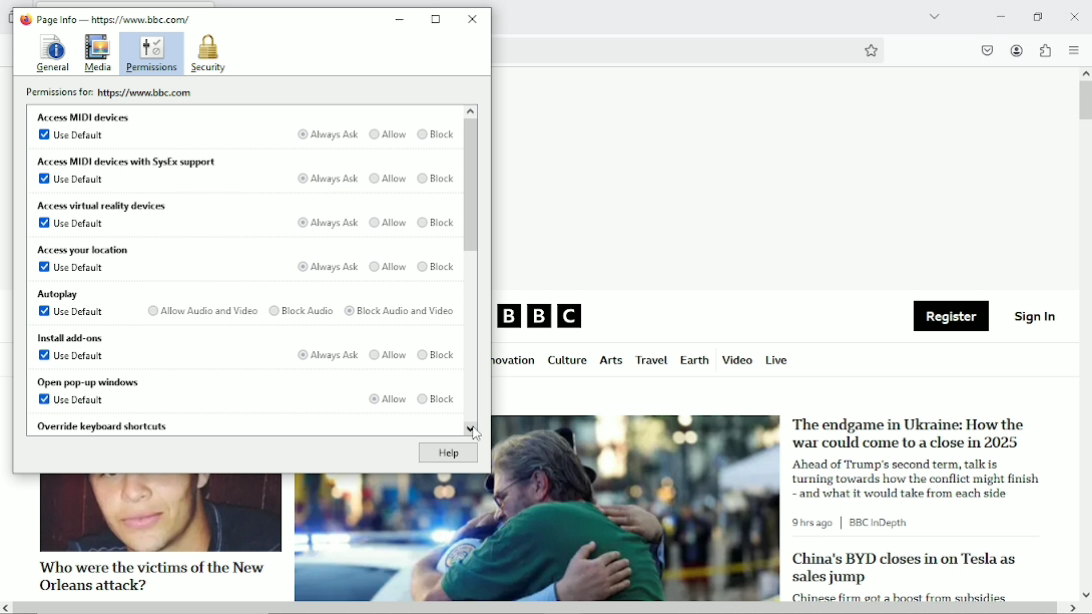 The height and width of the screenshot is (614, 1092). What do you see at coordinates (474, 18) in the screenshot?
I see `close` at bounding box center [474, 18].